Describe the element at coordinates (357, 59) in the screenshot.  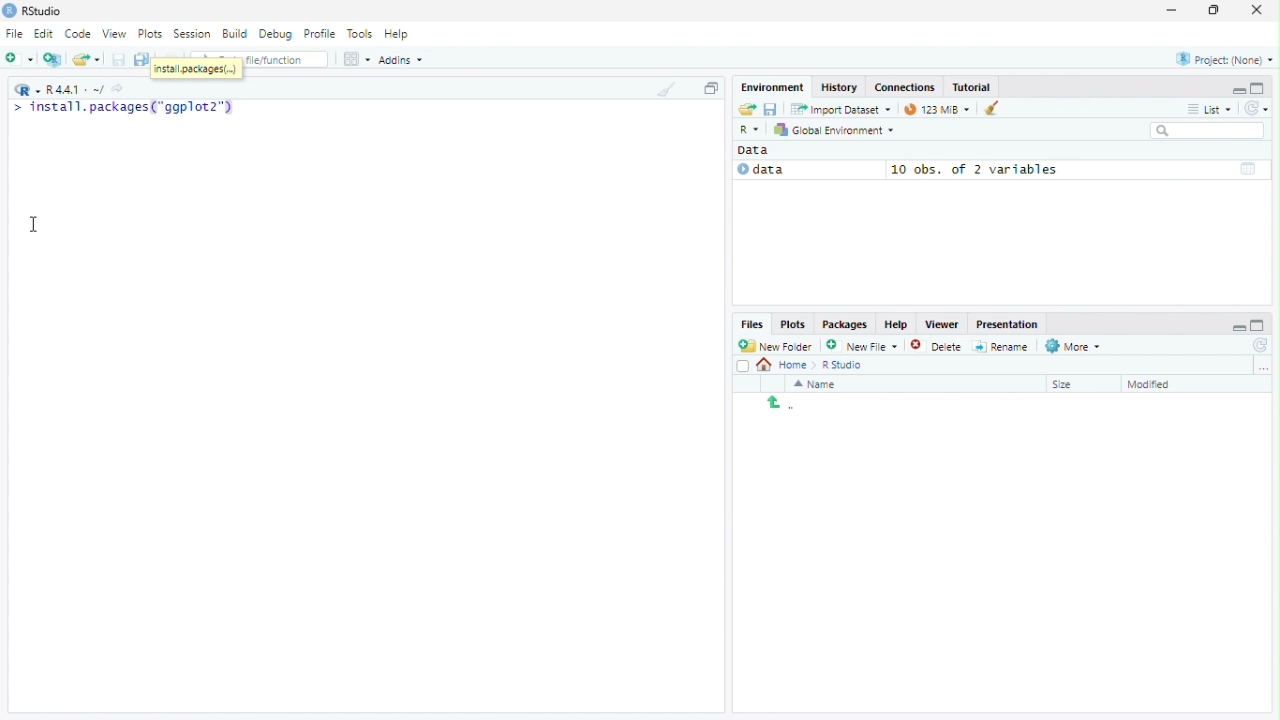
I see `workspace panes` at that location.